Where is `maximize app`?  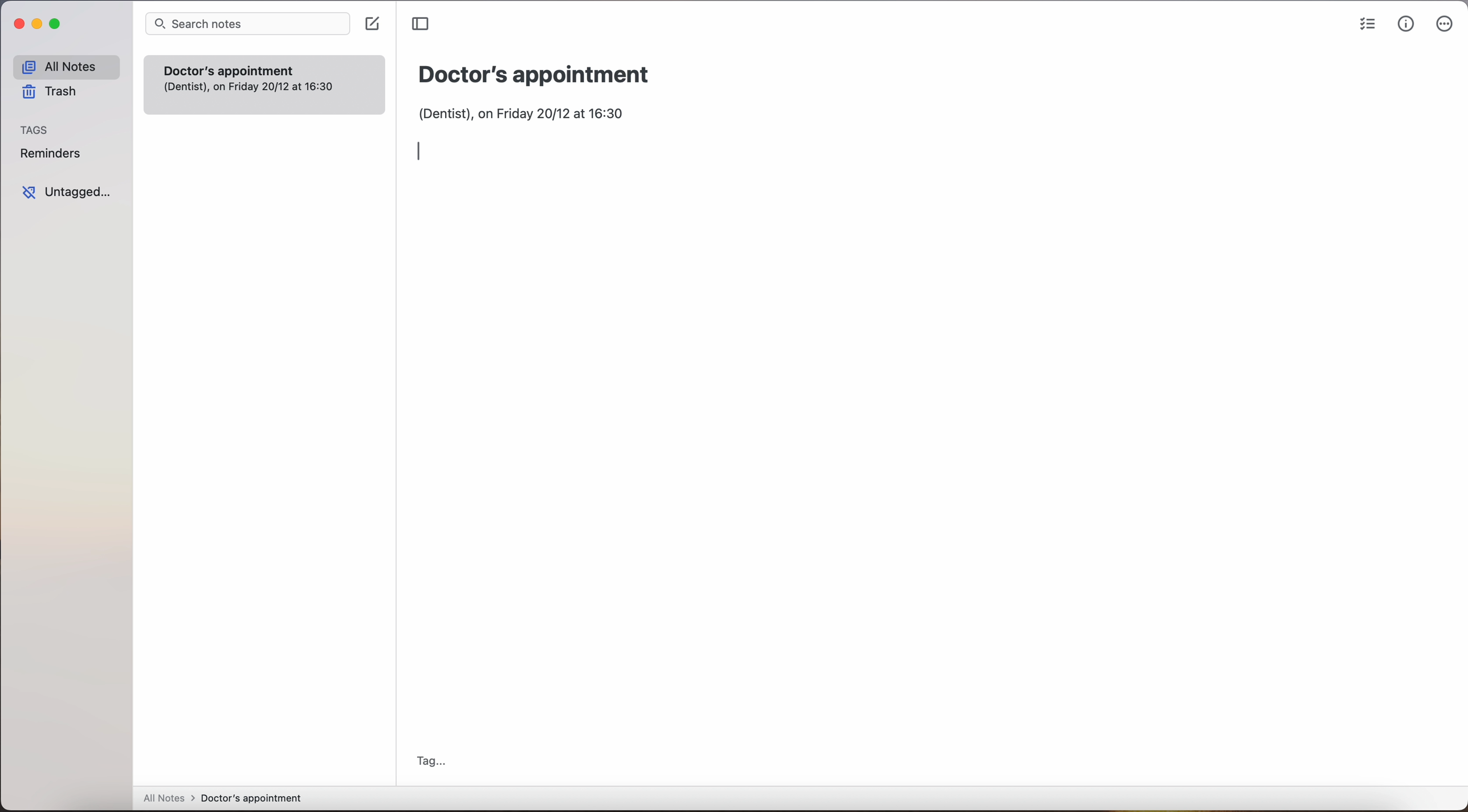 maximize app is located at coordinates (58, 24).